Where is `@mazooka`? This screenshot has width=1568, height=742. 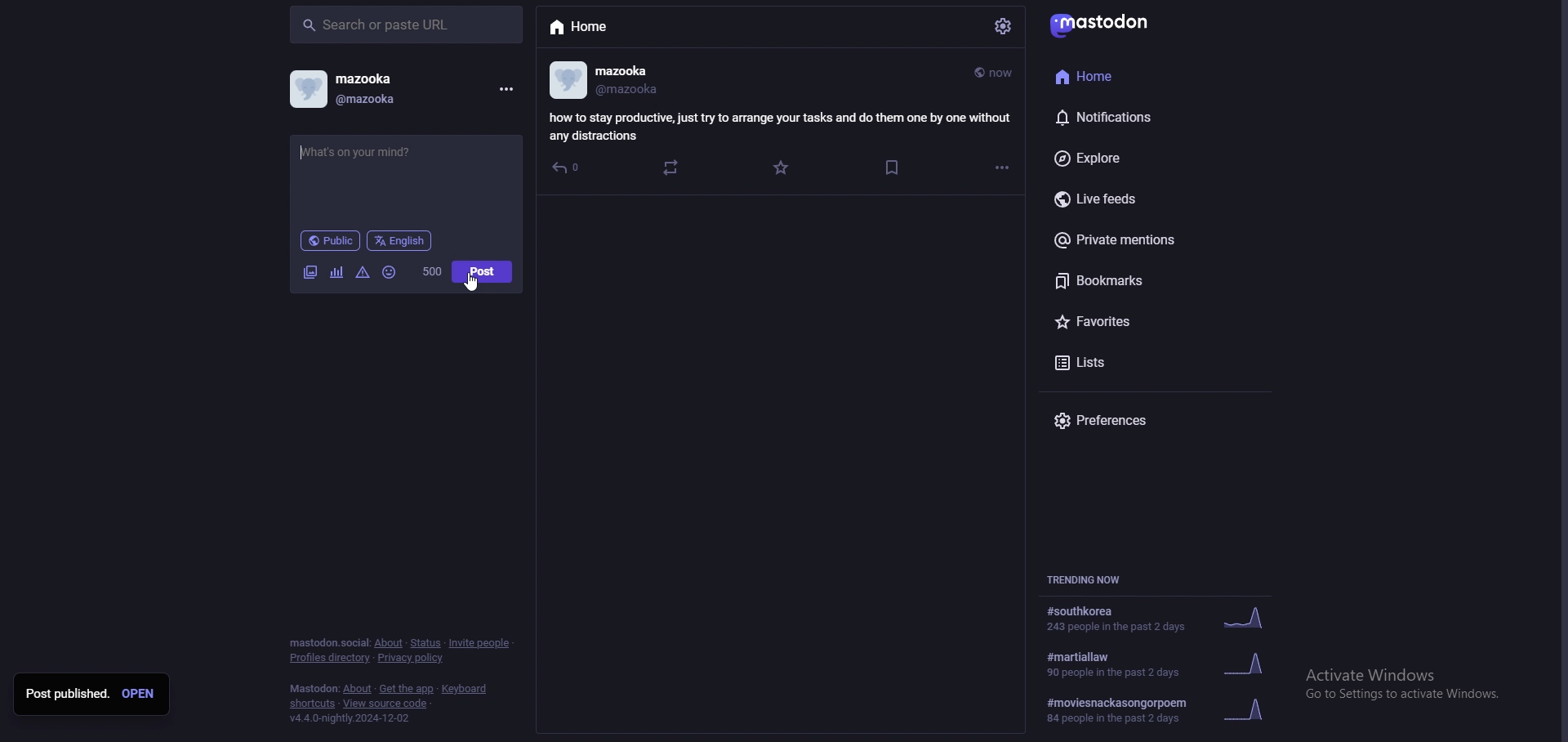 @mazooka is located at coordinates (376, 100).